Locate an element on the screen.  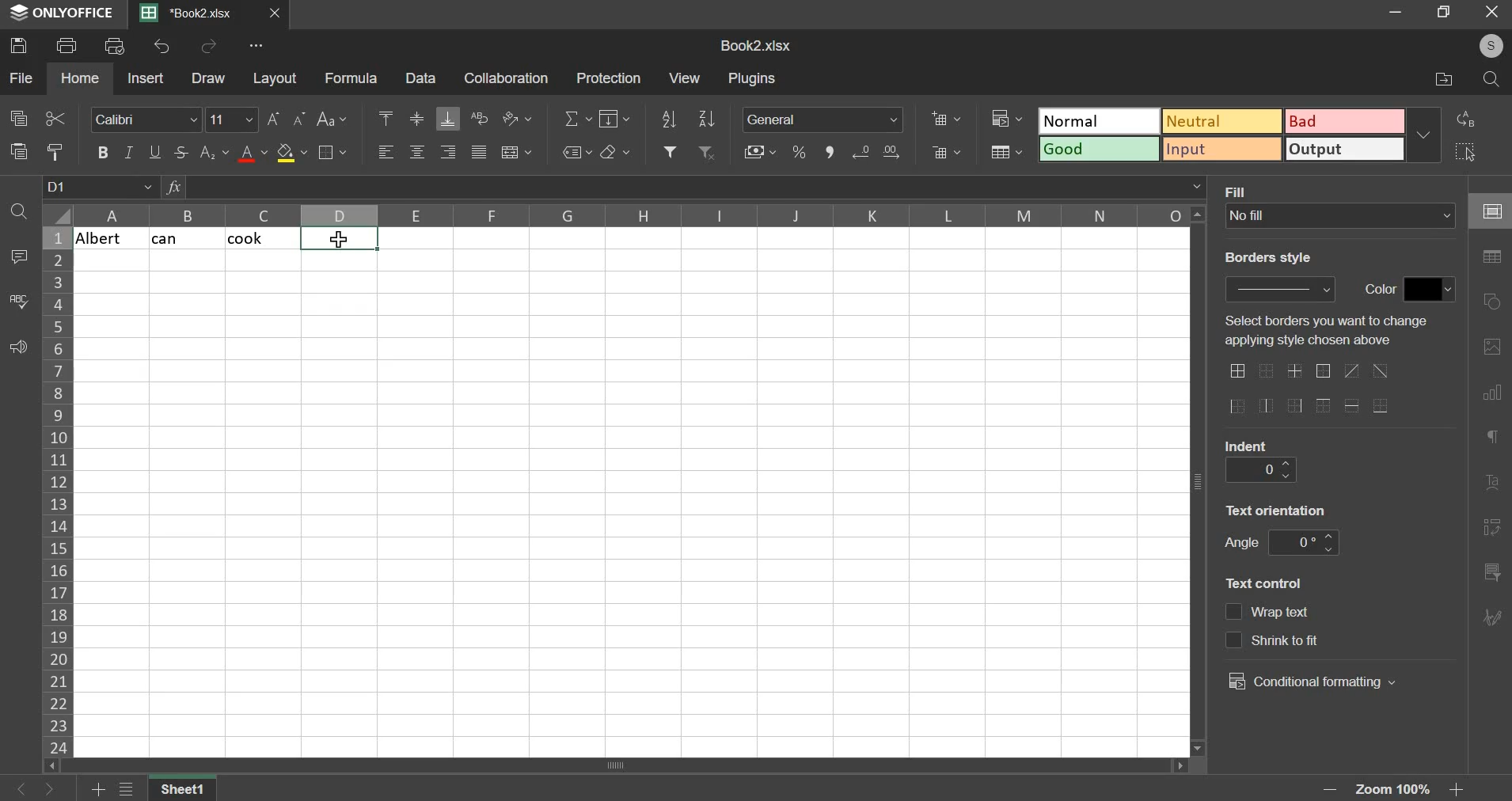
pivot table is located at coordinates (1492, 529).